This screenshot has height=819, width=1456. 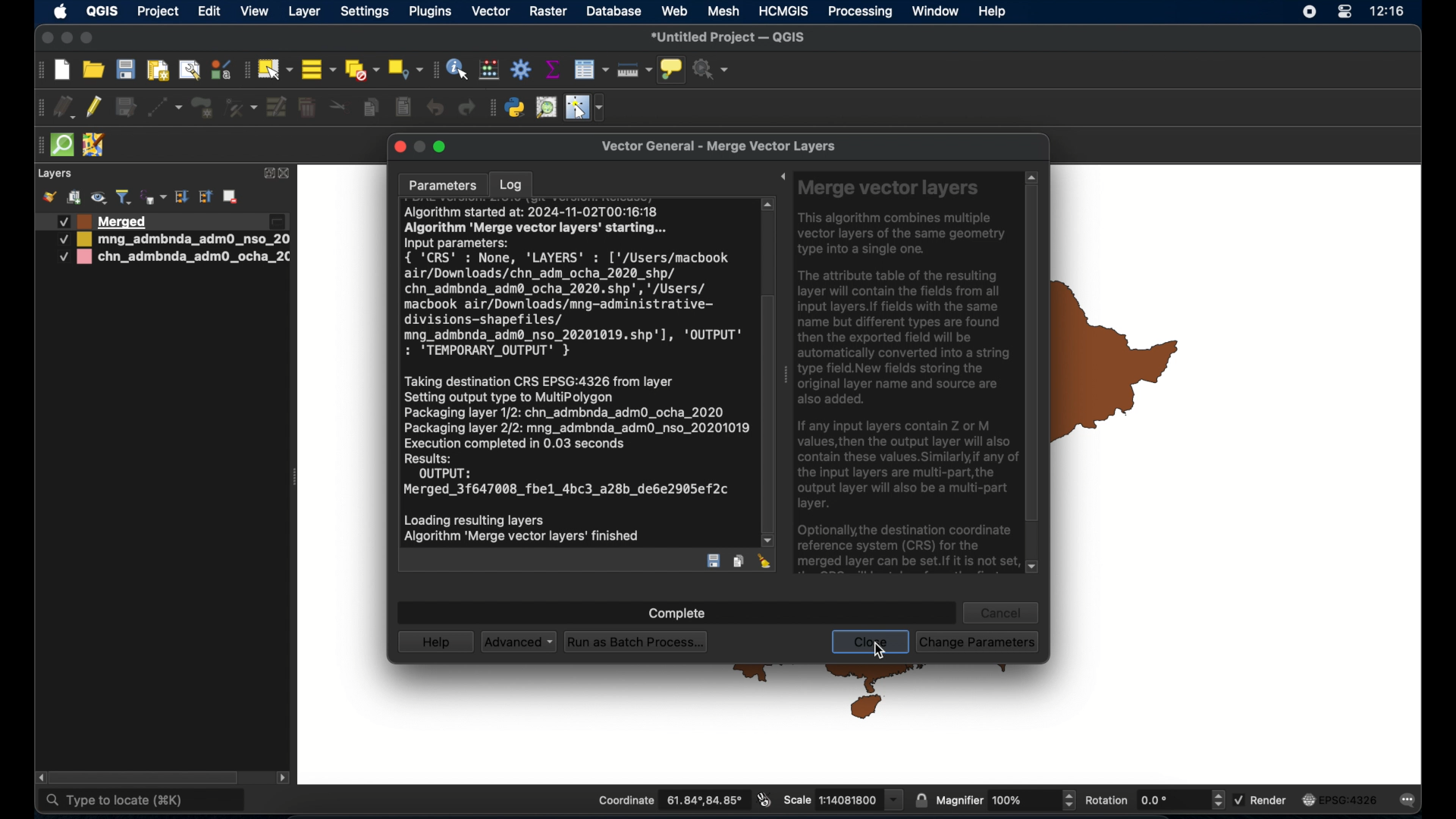 I want to click on select by location , so click(x=405, y=68).